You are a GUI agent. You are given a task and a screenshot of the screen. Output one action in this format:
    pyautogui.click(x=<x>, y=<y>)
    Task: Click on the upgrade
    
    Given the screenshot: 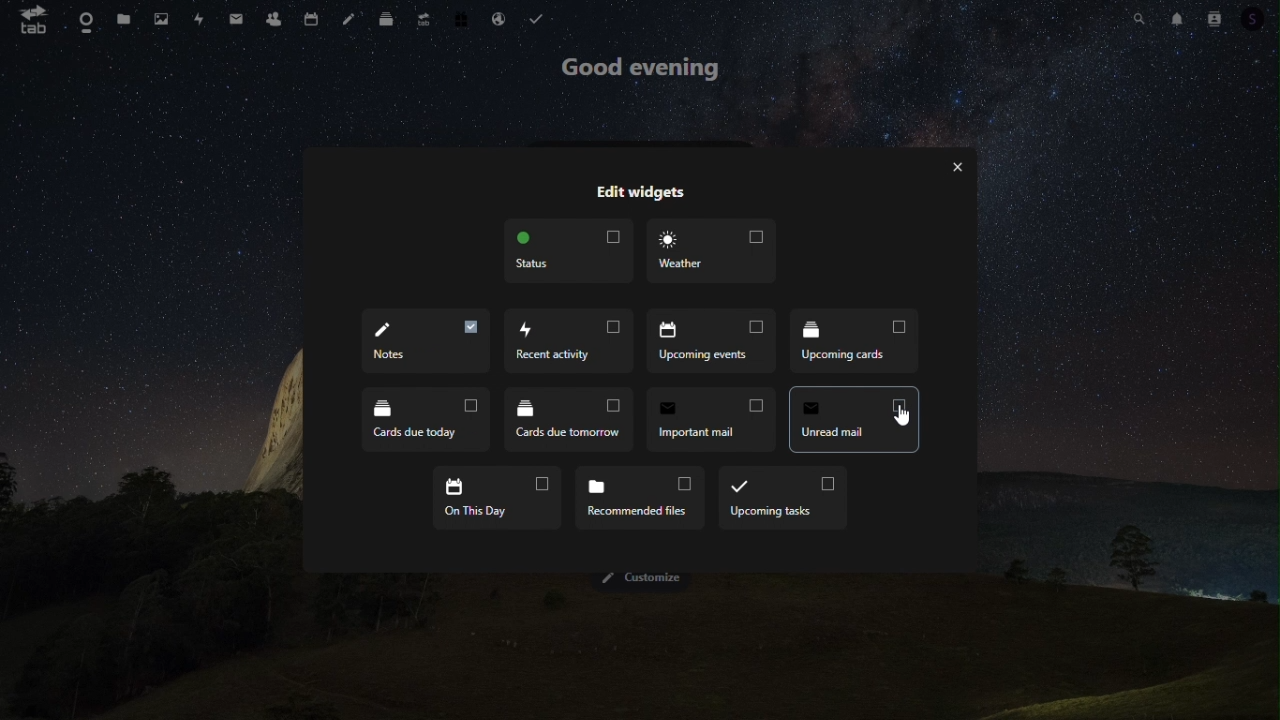 What is the action you would take?
    pyautogui.click(x=424, y=21)
    